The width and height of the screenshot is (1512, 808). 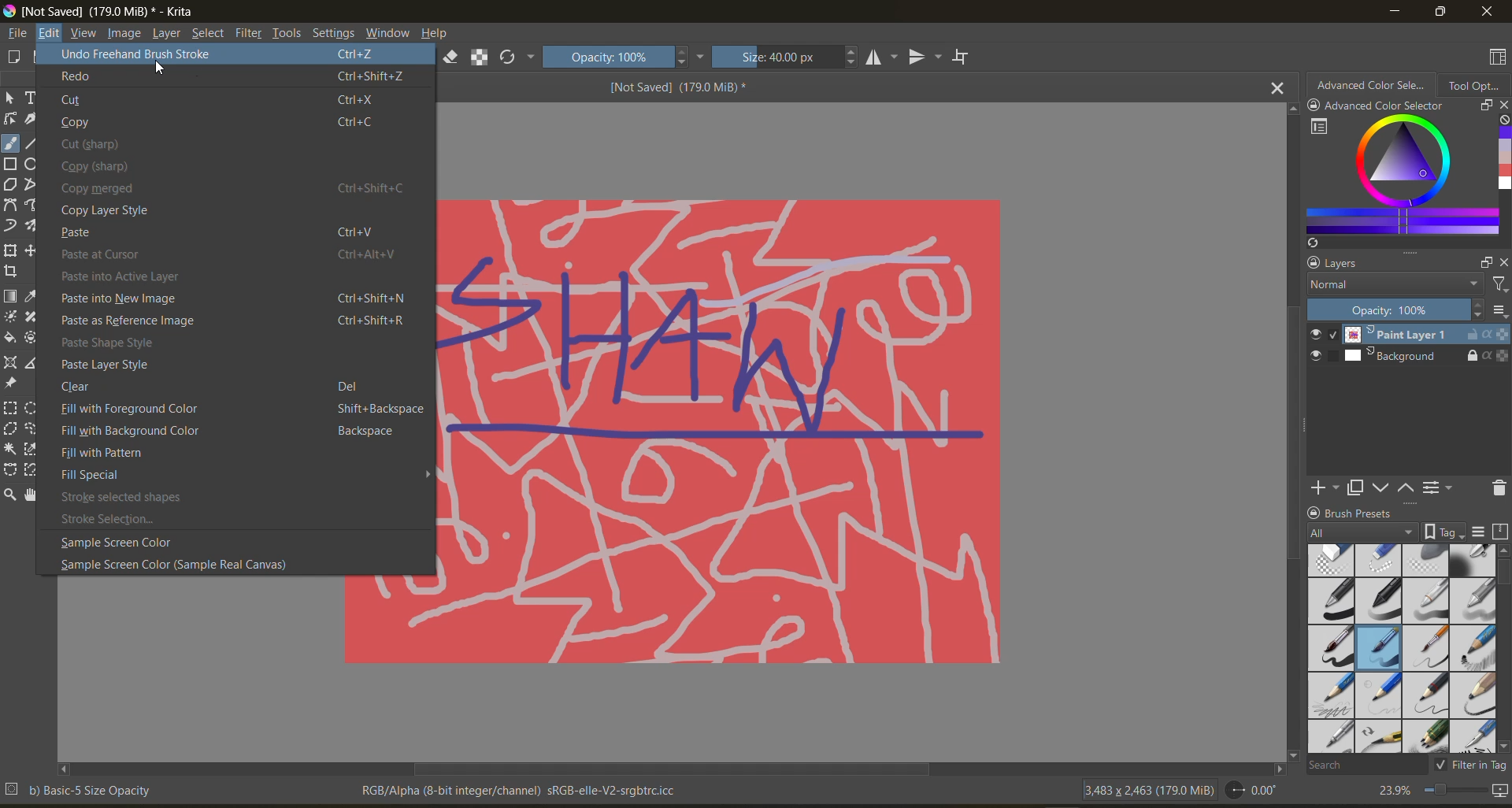 What do you see at coordinates (36, 226) in the screenshot?
I see `Multi brush tool` at bounding box center [36, 226].